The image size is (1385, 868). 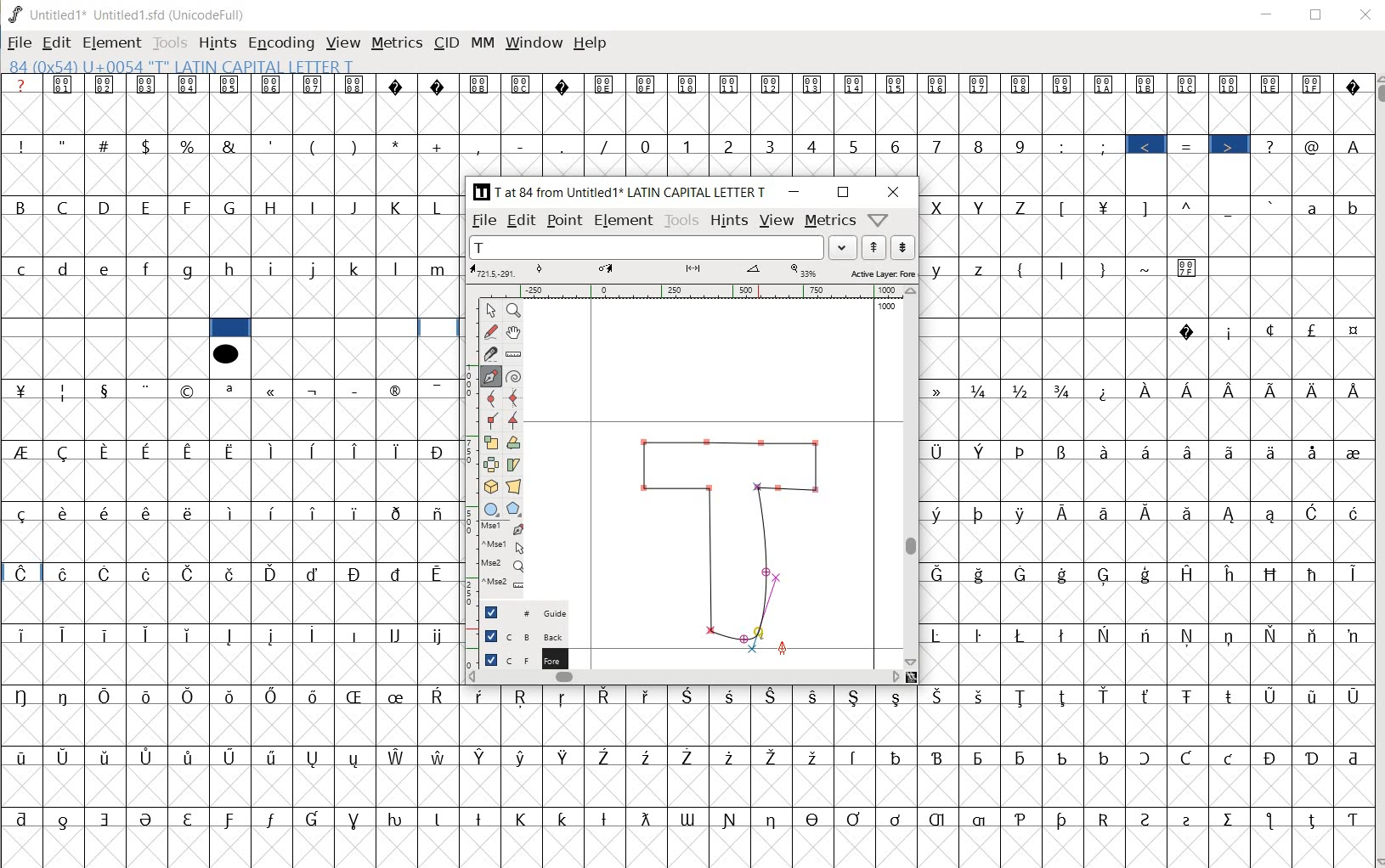 I want to click on Symbol, so click(x=398, y=696).